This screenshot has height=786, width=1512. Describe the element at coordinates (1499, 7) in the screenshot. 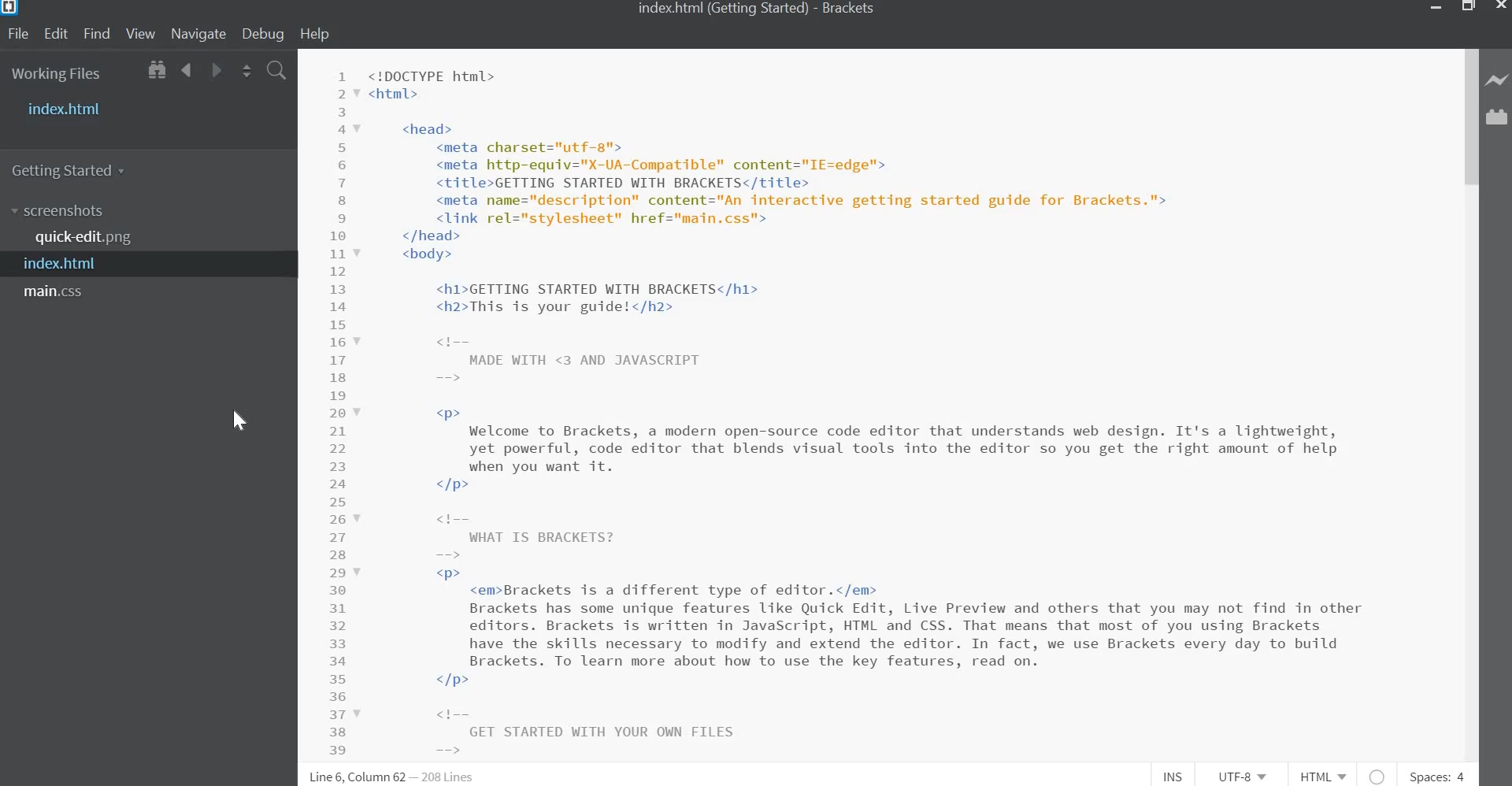

I see `Close` at that location.